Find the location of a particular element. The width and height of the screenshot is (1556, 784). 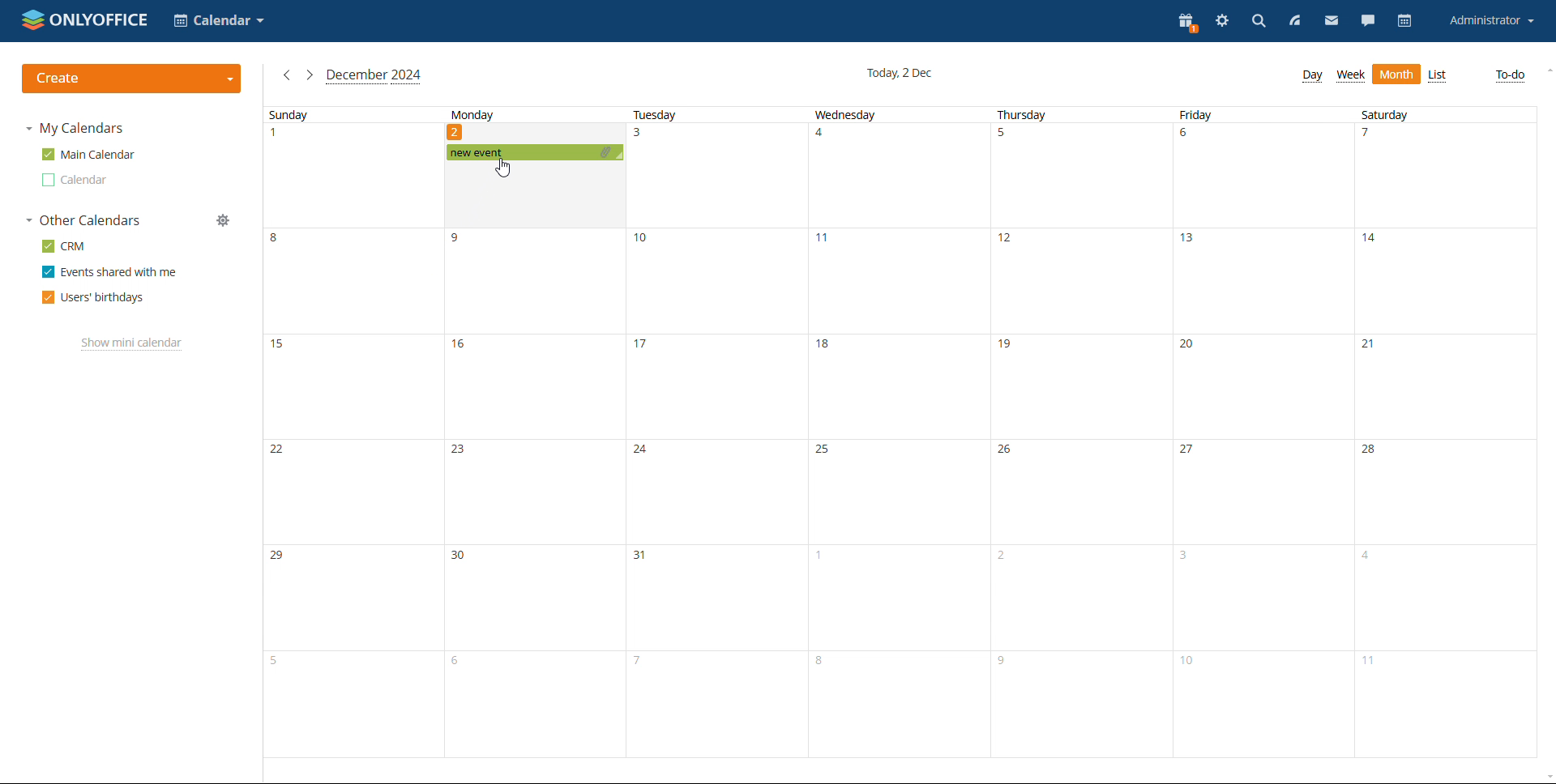

29 is located at coordinates (280, 557).